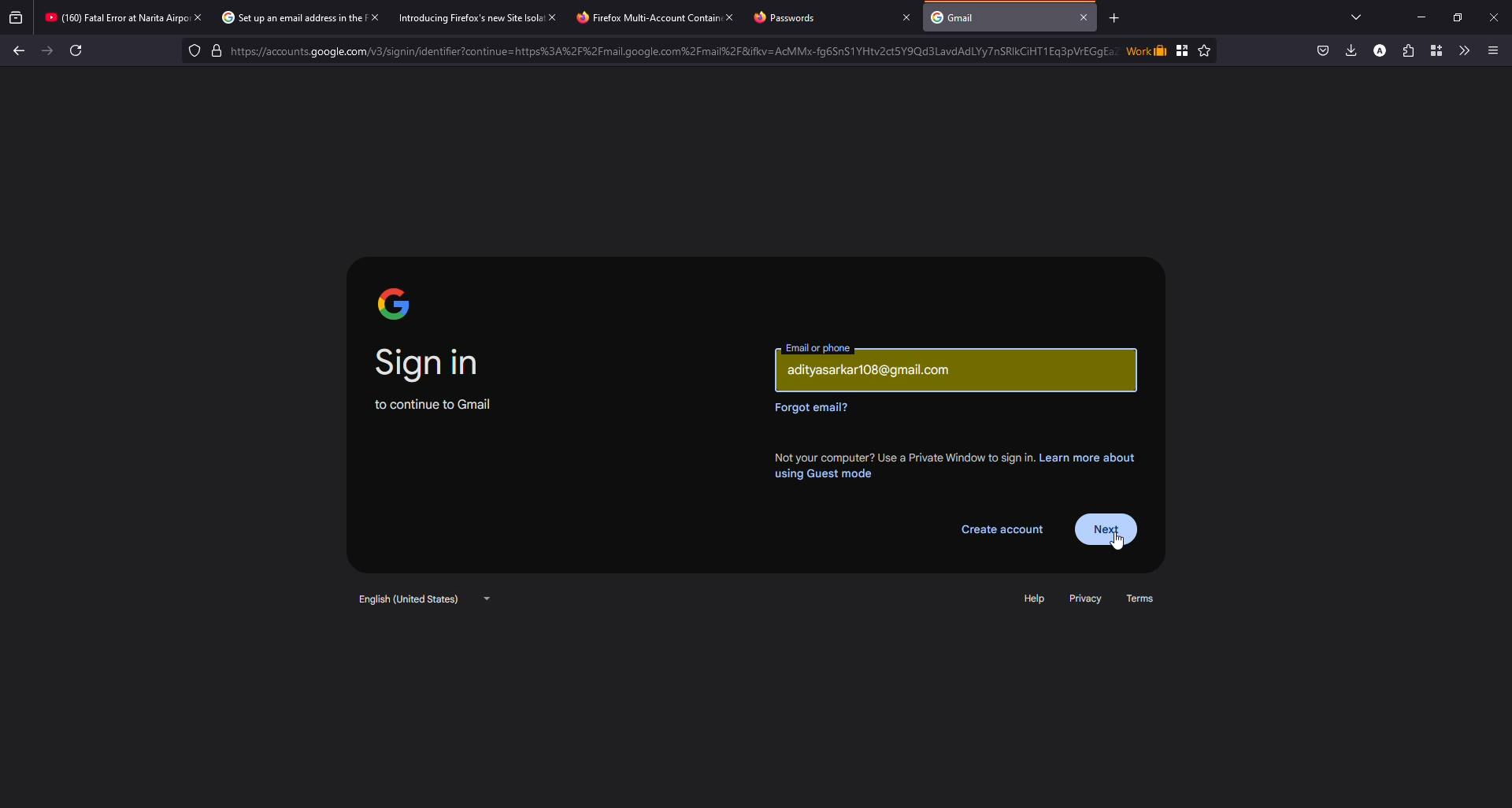  I want to click on container, so click(1433, 50).